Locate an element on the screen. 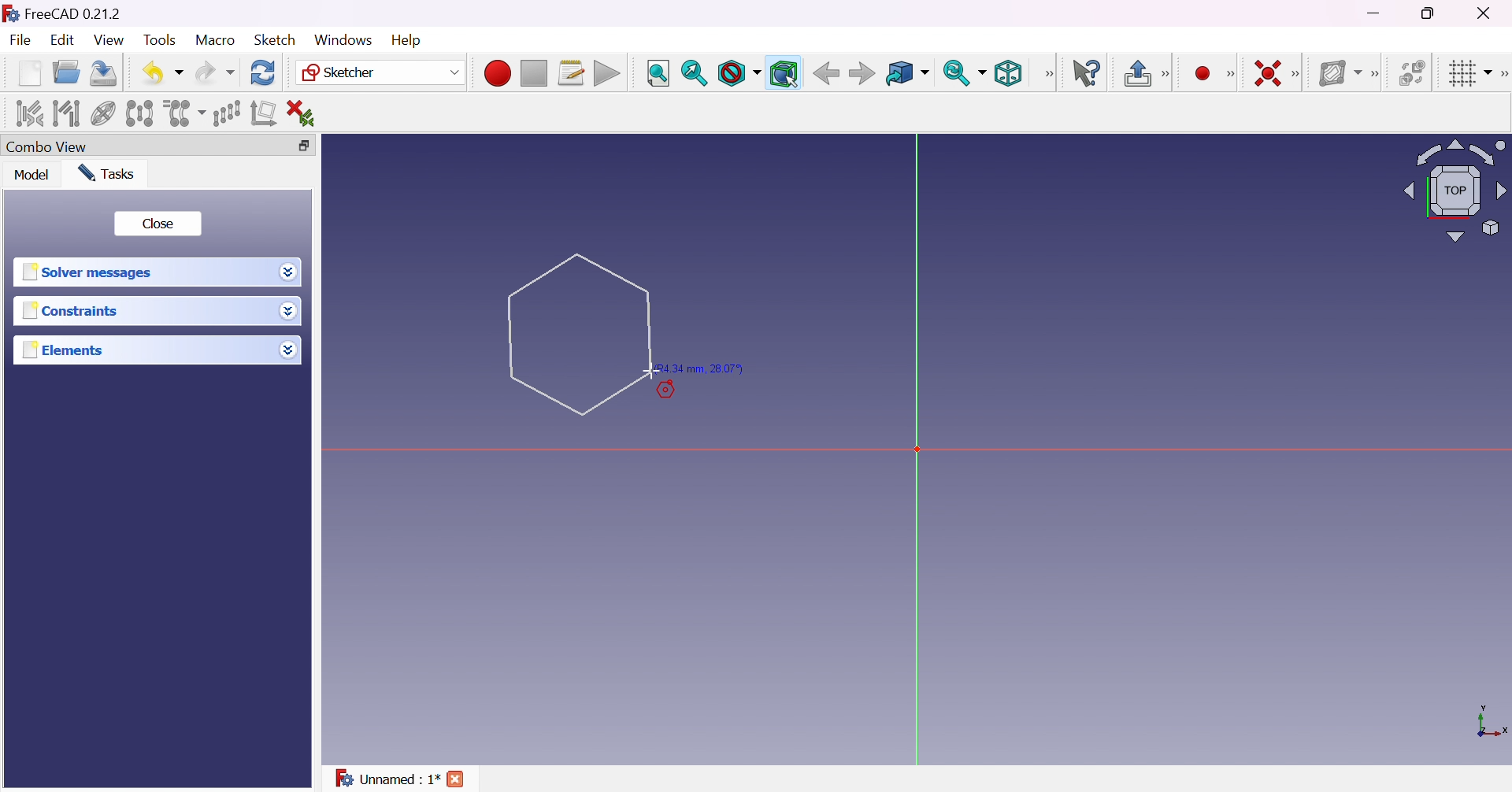 This screenshot has width=1512, height=792. Execute macro is located at coordinates (607, 75).